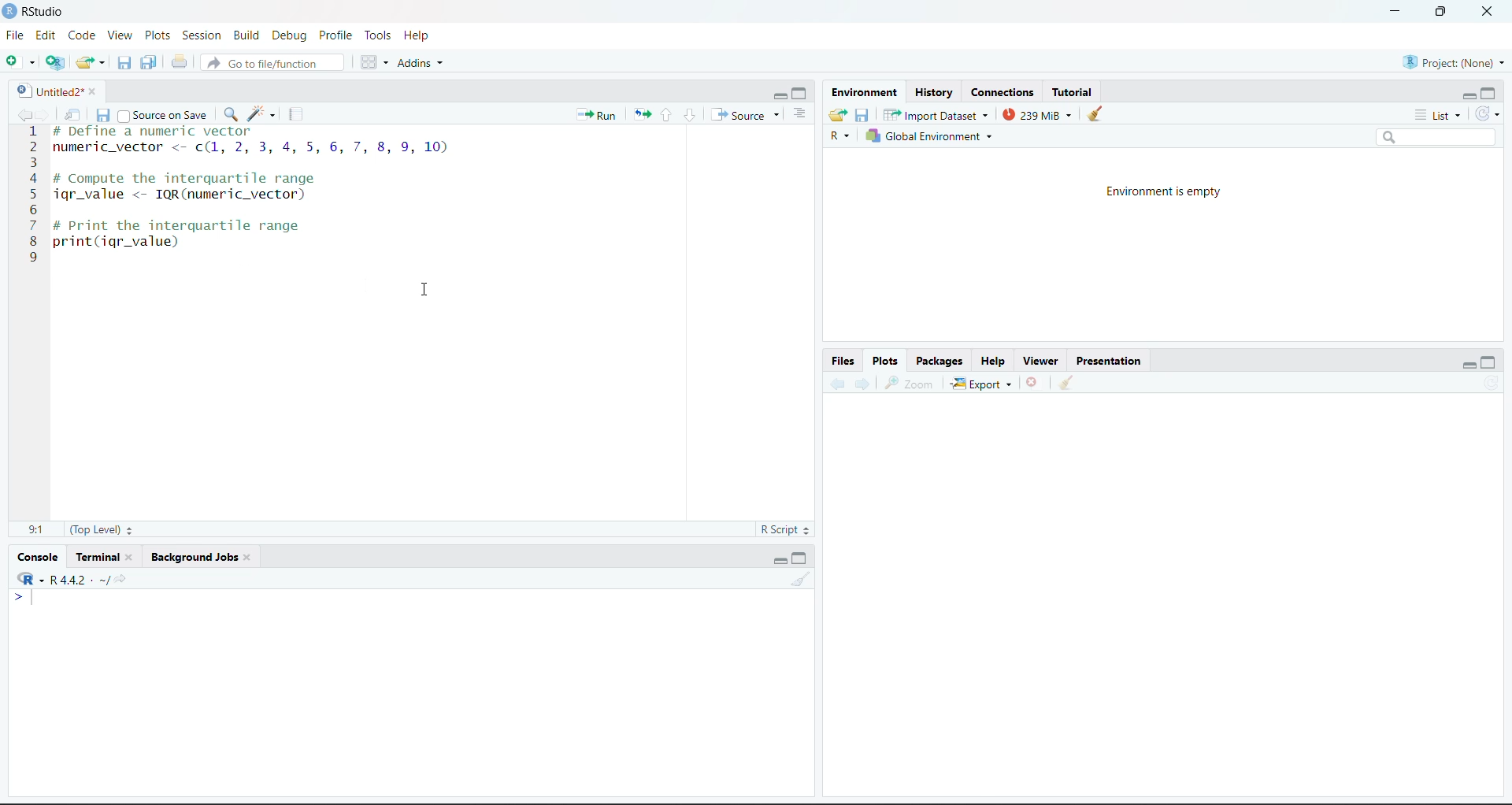  What do you see at coordinates (31, 199) in the screenshot?
I see `123456789` at bounding box center [31, 199].